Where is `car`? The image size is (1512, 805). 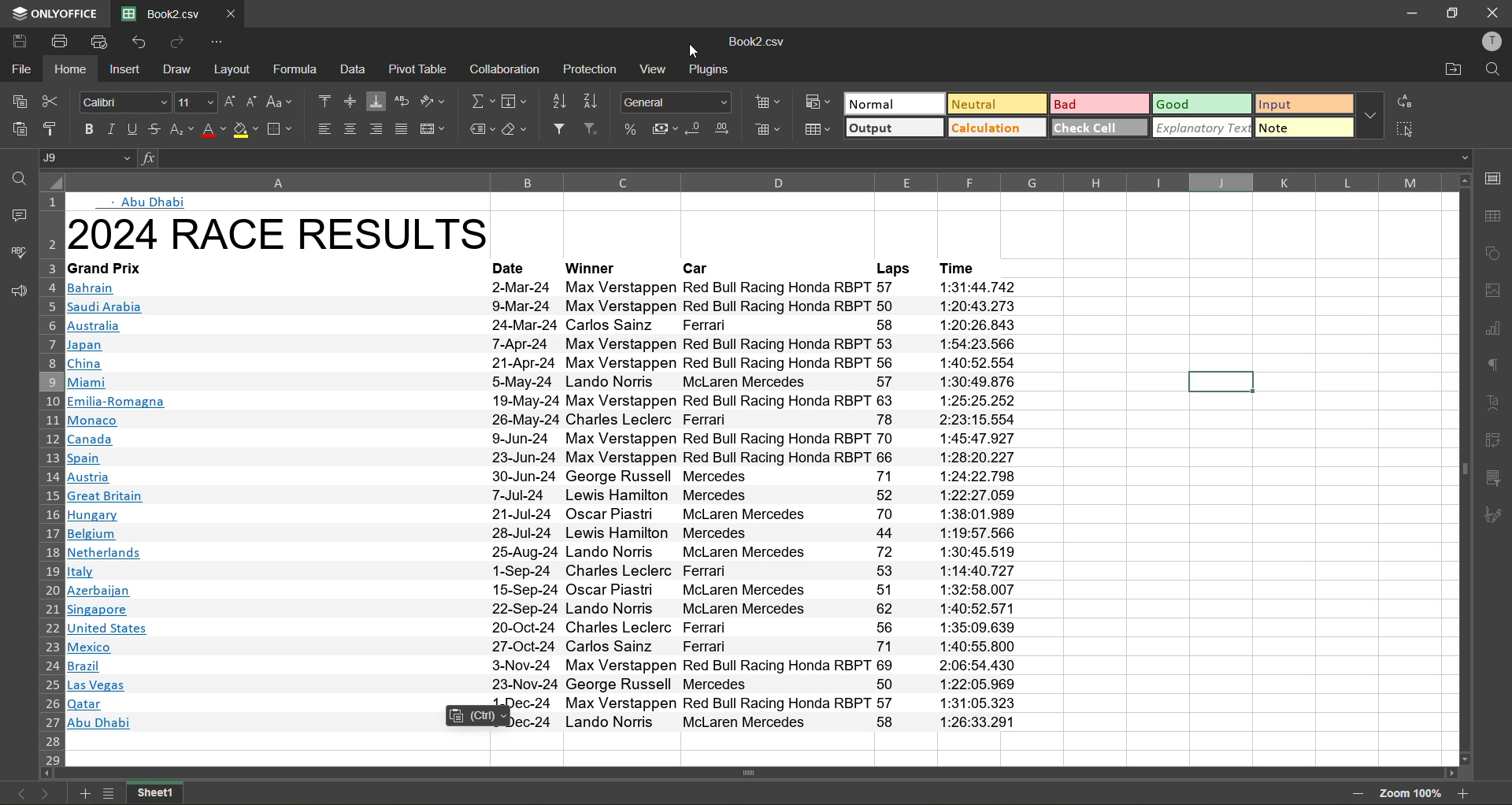
car is located at coordinates (703, 268).